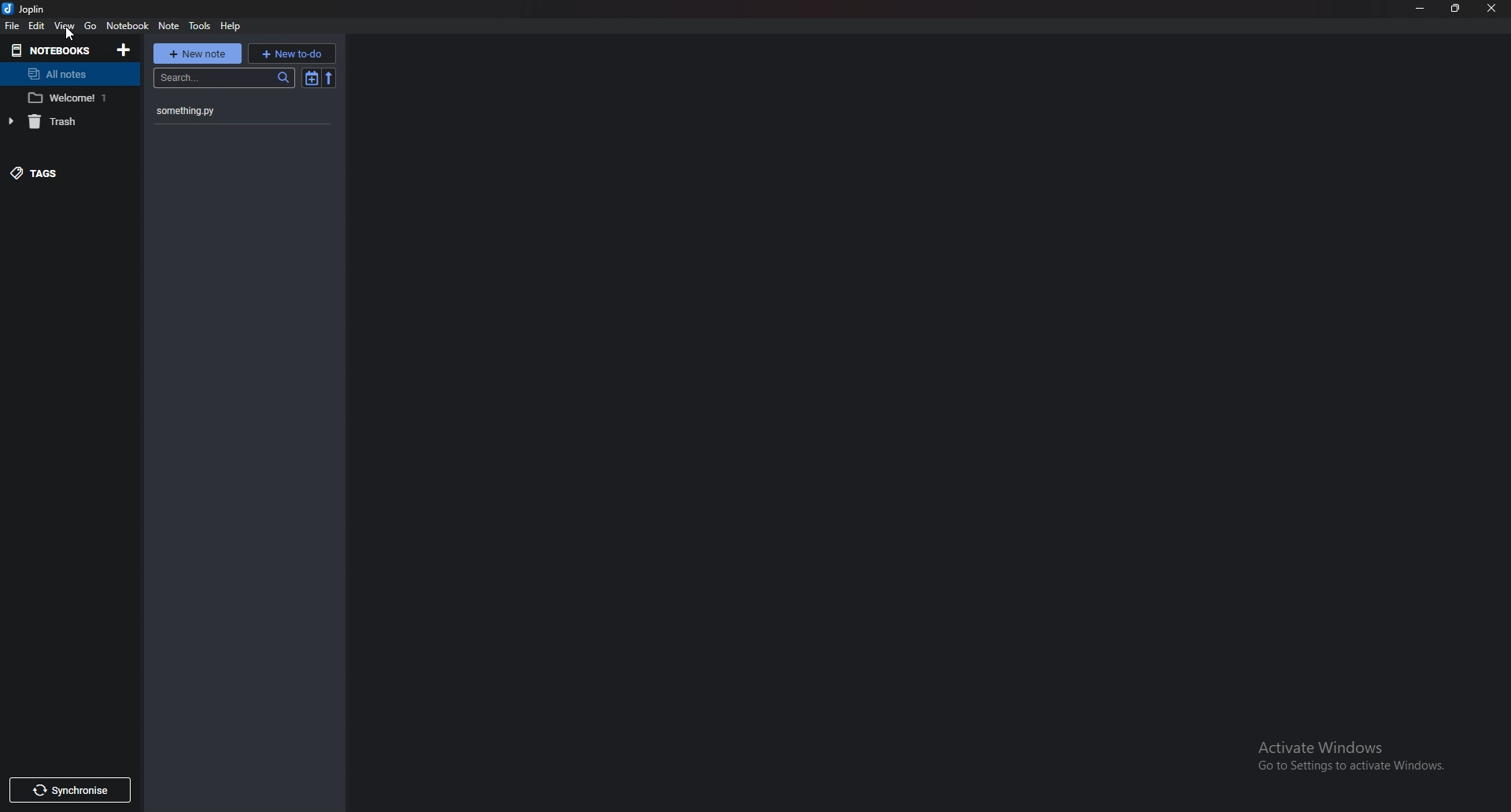  Describe the element at coordinates (1455, 7) in the screenshot. I see `Restore down` at that location.